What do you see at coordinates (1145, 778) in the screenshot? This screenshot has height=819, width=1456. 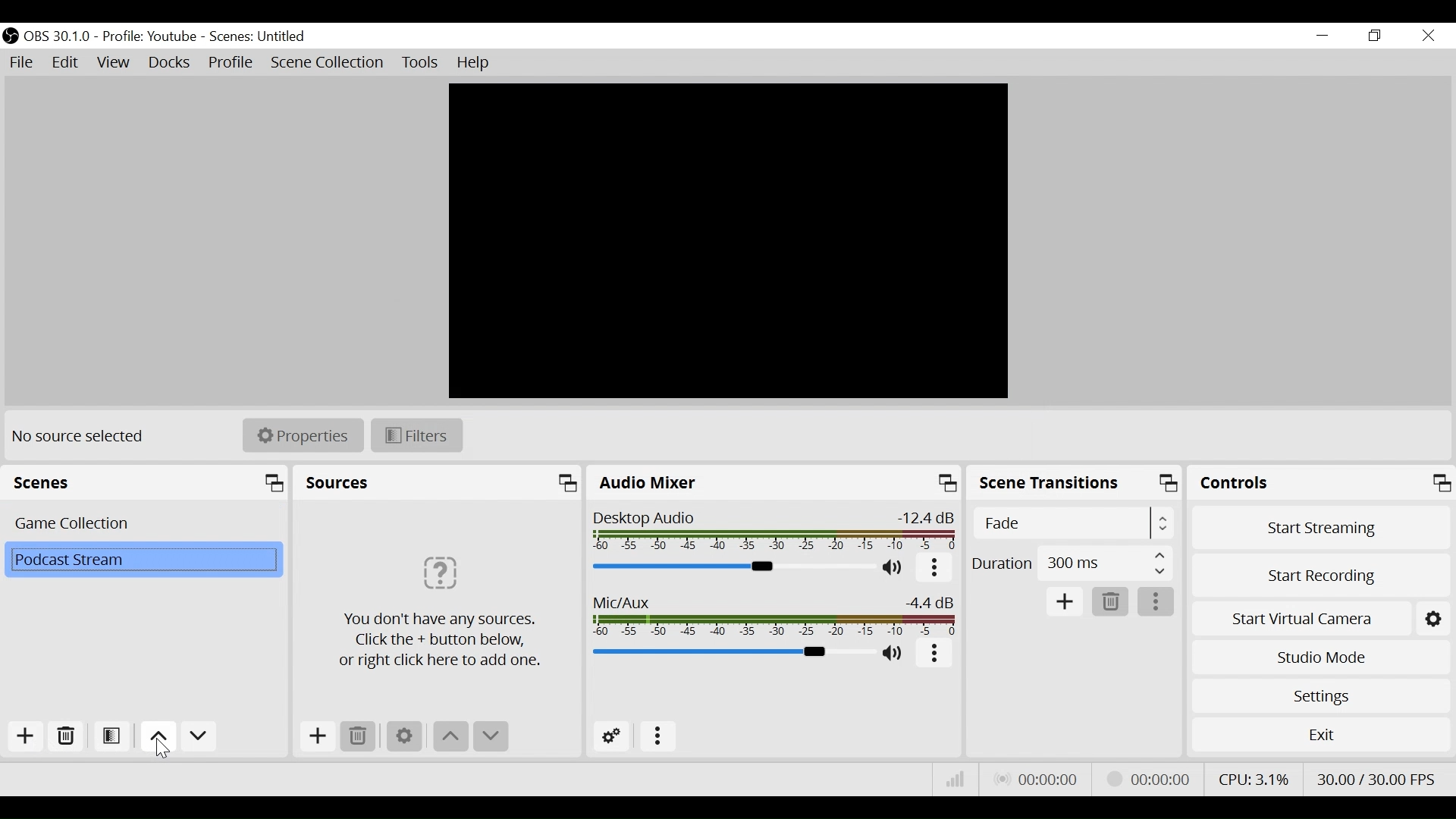 I see `Streaming Status` at bounding box center [1145, 778].